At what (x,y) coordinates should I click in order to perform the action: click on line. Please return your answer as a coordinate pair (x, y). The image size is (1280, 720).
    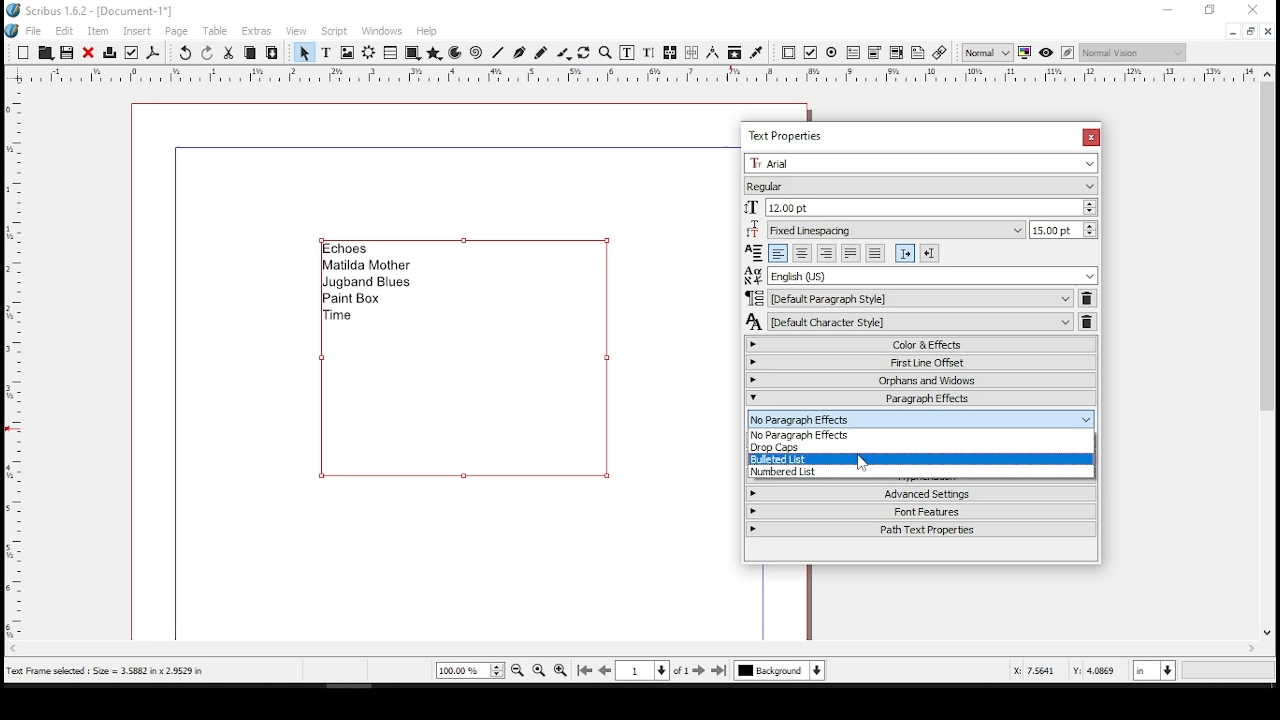
    Looking at the image, I should click on (499, 52).